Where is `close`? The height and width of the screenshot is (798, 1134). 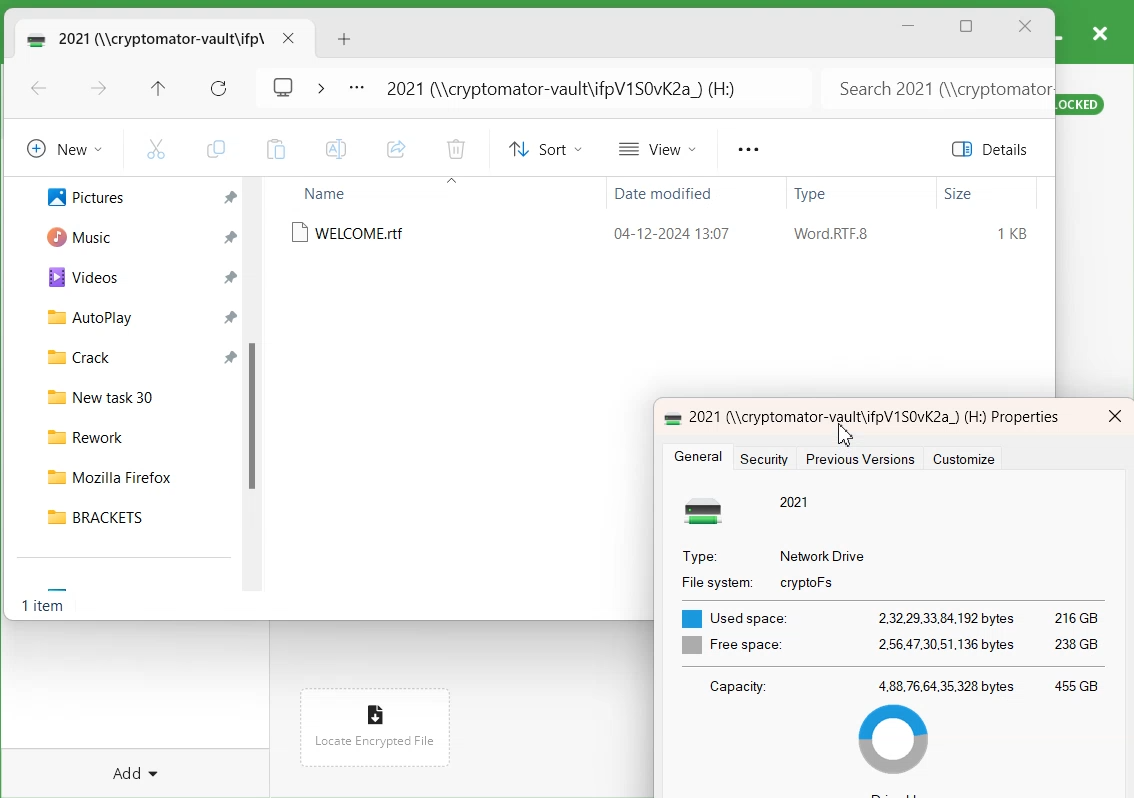
close is located at coordinates (1099, 32).